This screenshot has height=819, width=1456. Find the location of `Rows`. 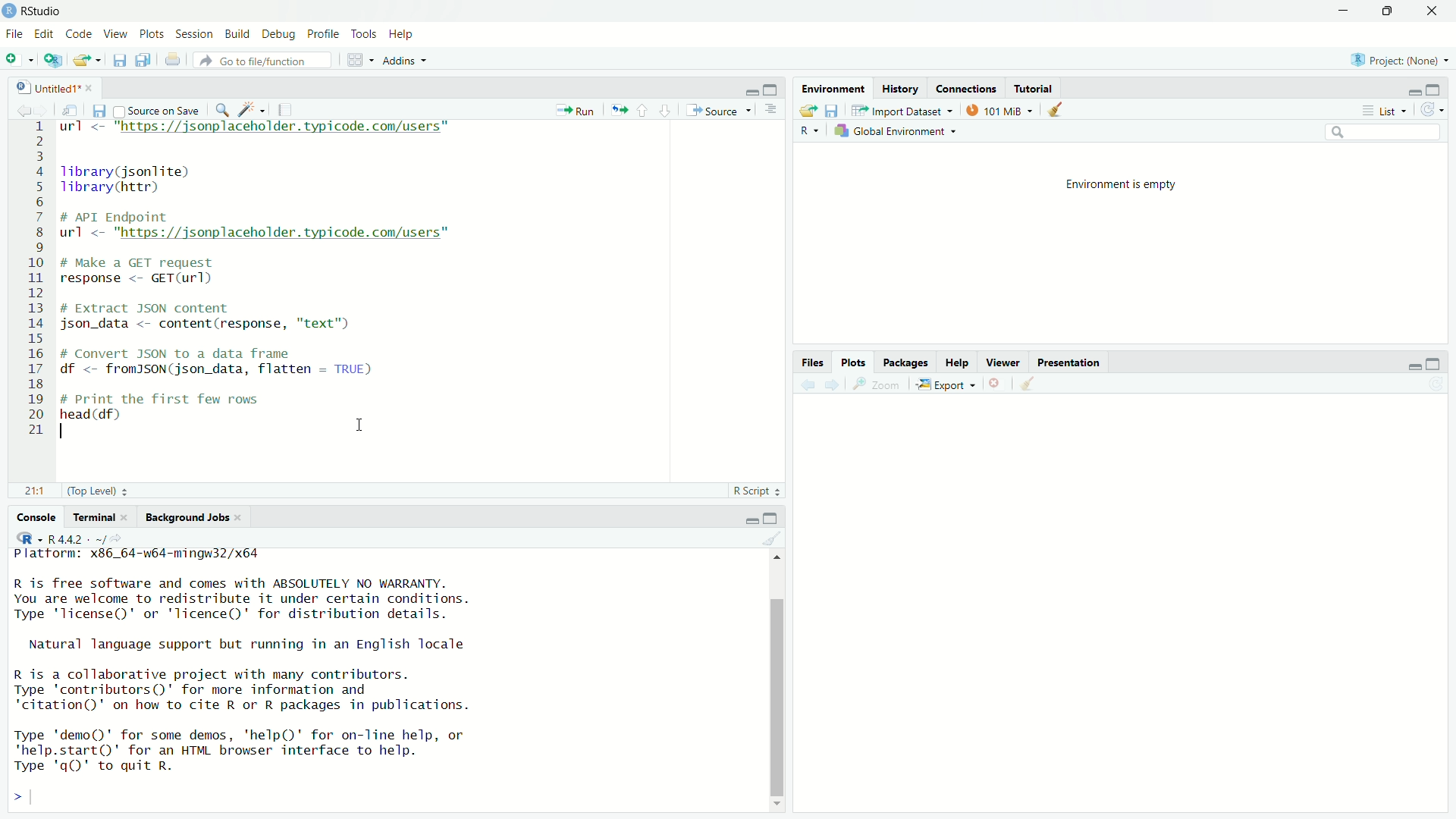

Rows is located at coordinates (35, 278).